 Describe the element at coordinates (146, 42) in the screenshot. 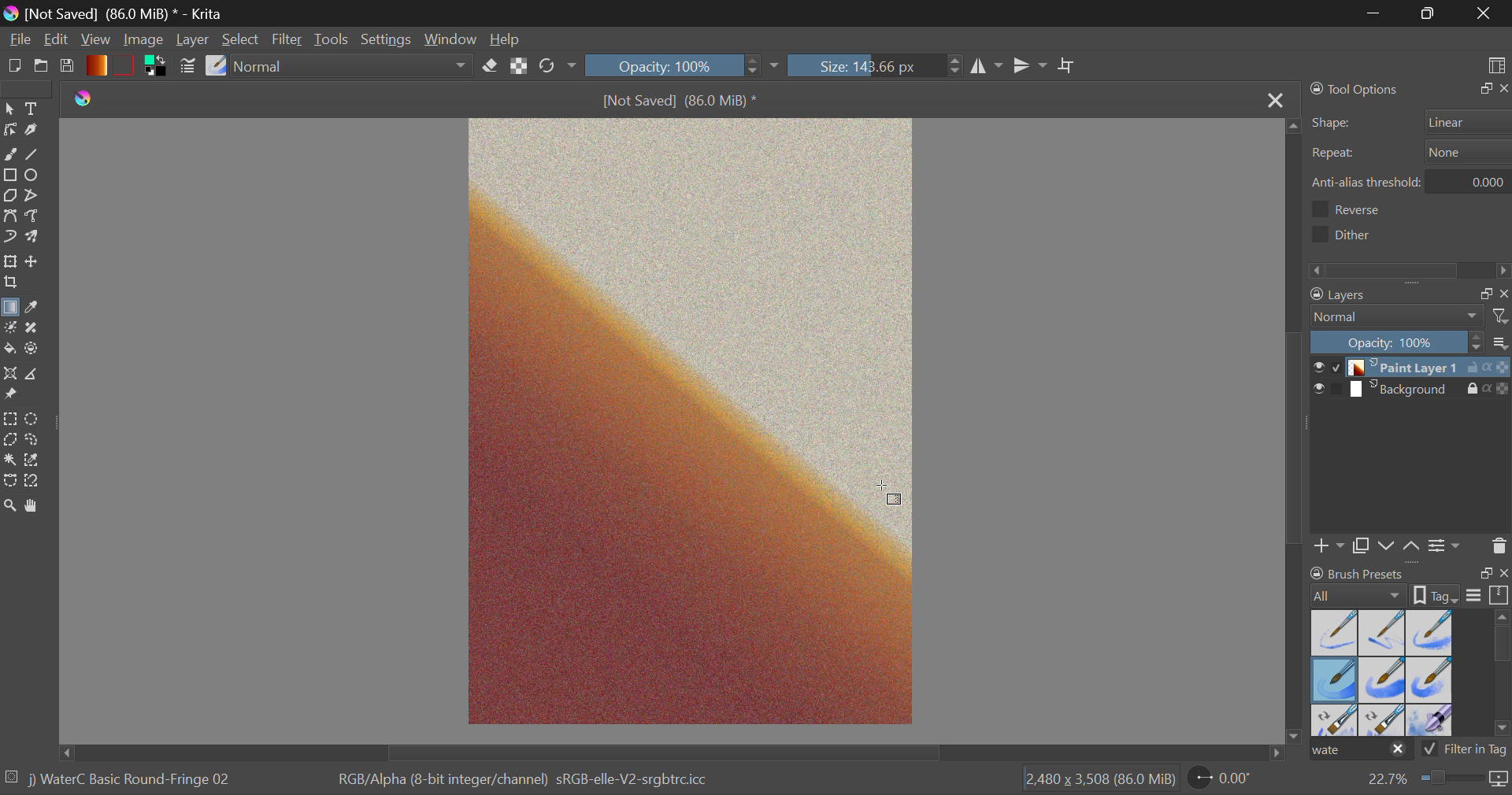

I see `Image` at that location.